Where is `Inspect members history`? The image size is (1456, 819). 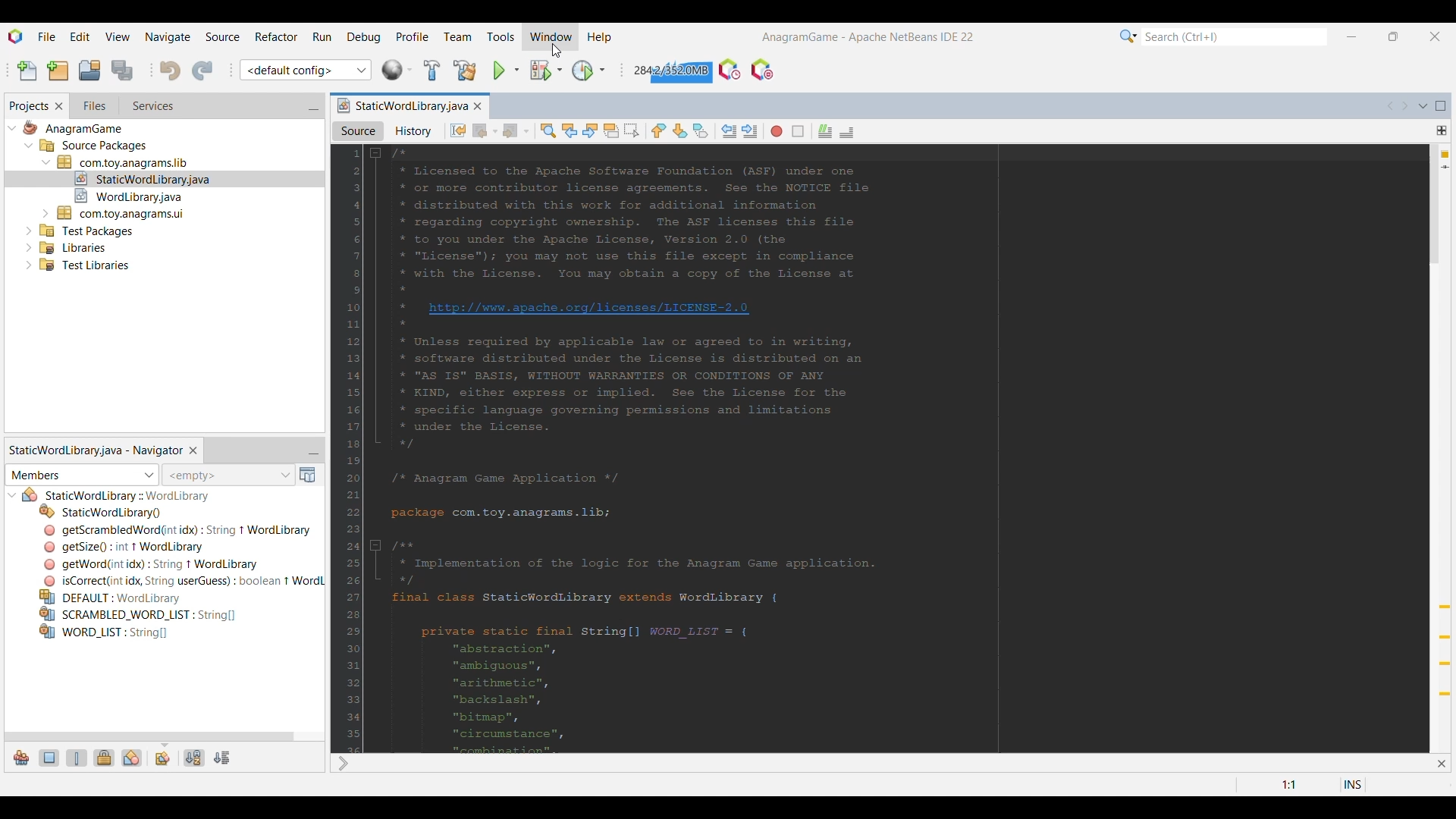 Inspect members history is located at coordinates (227, 475).